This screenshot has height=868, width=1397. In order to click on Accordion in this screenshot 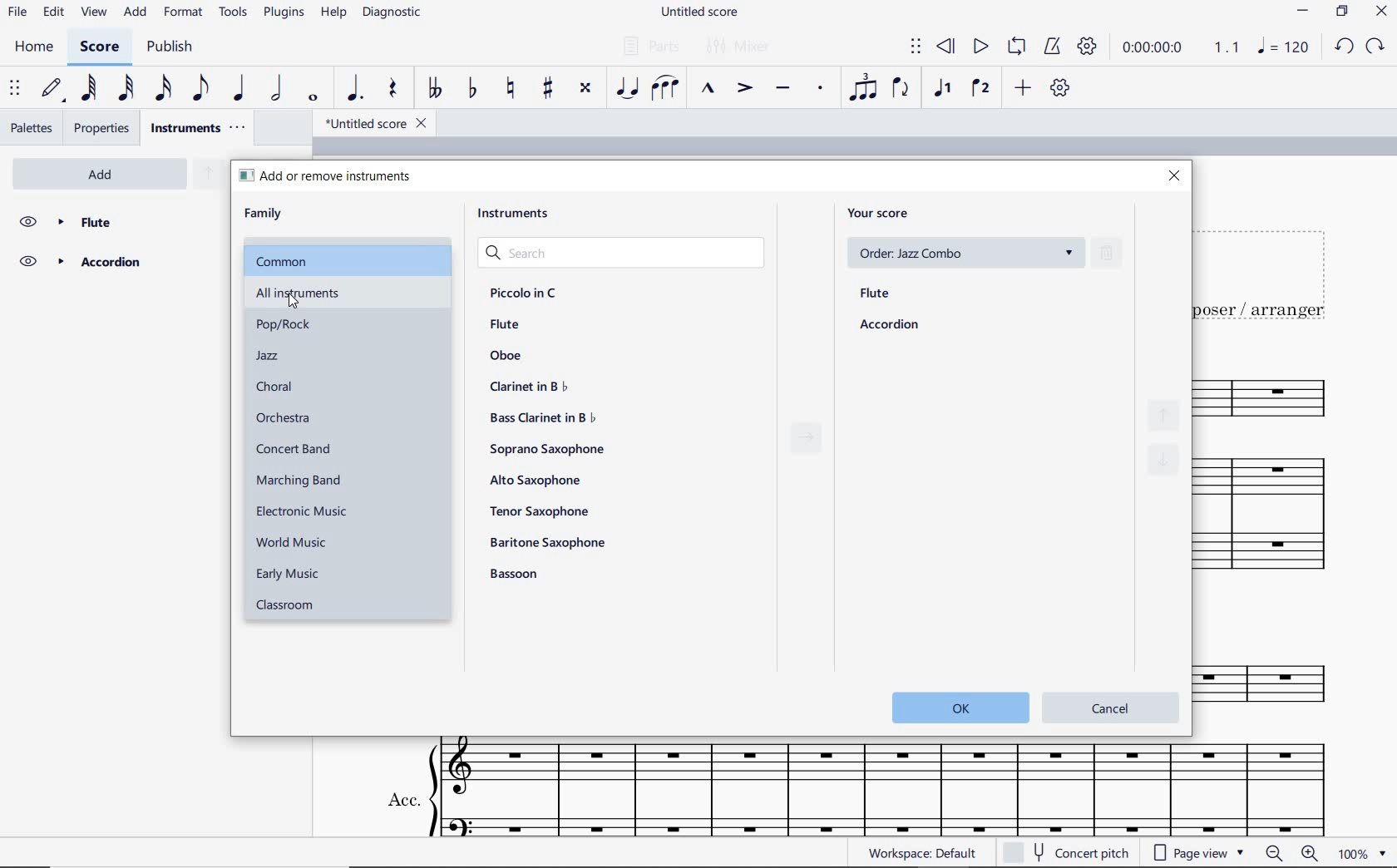, I will do `click(114, 263)`.